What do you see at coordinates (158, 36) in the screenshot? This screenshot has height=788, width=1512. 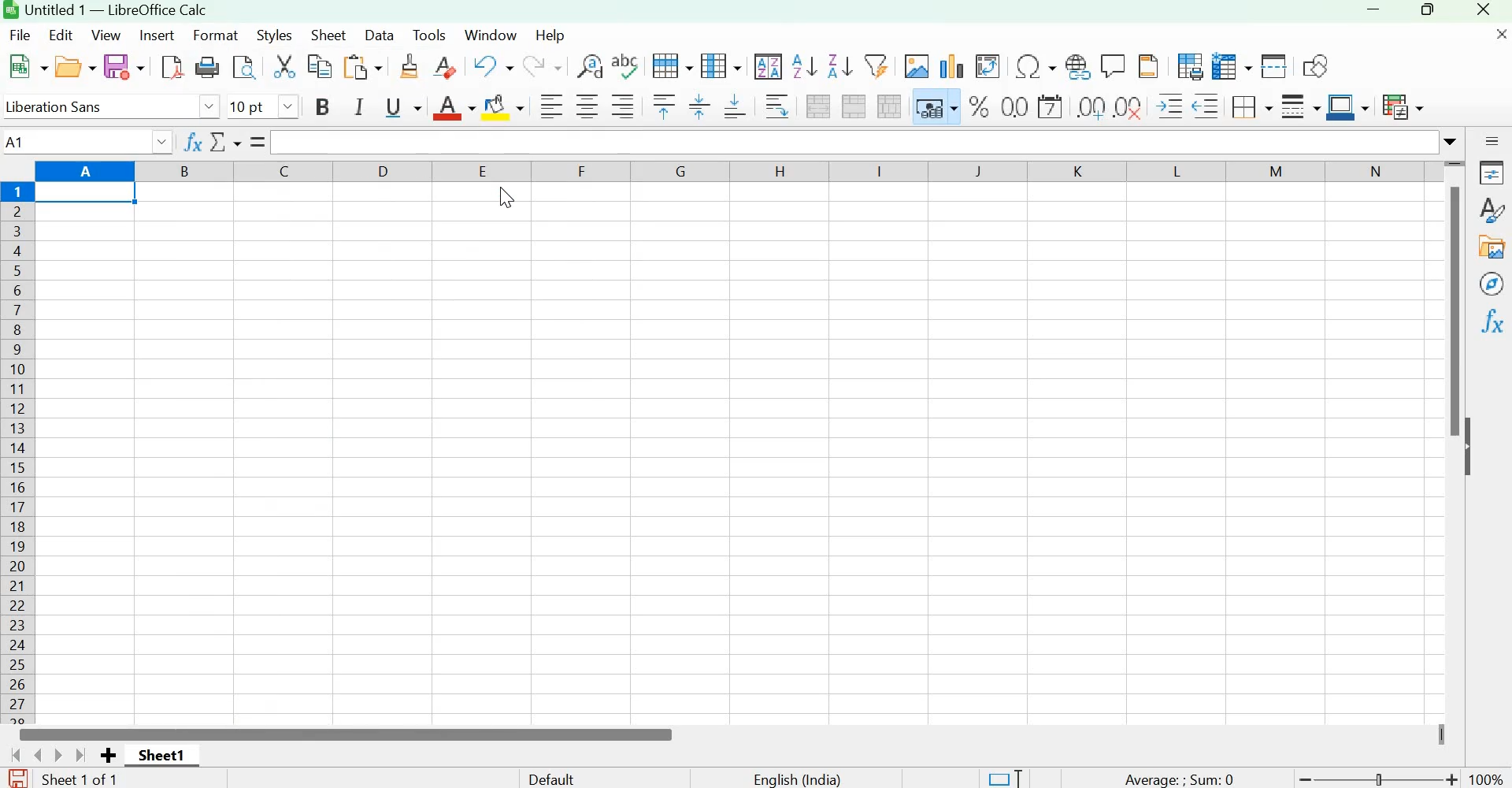 I see `Insert` at bounding box center [158, 36].